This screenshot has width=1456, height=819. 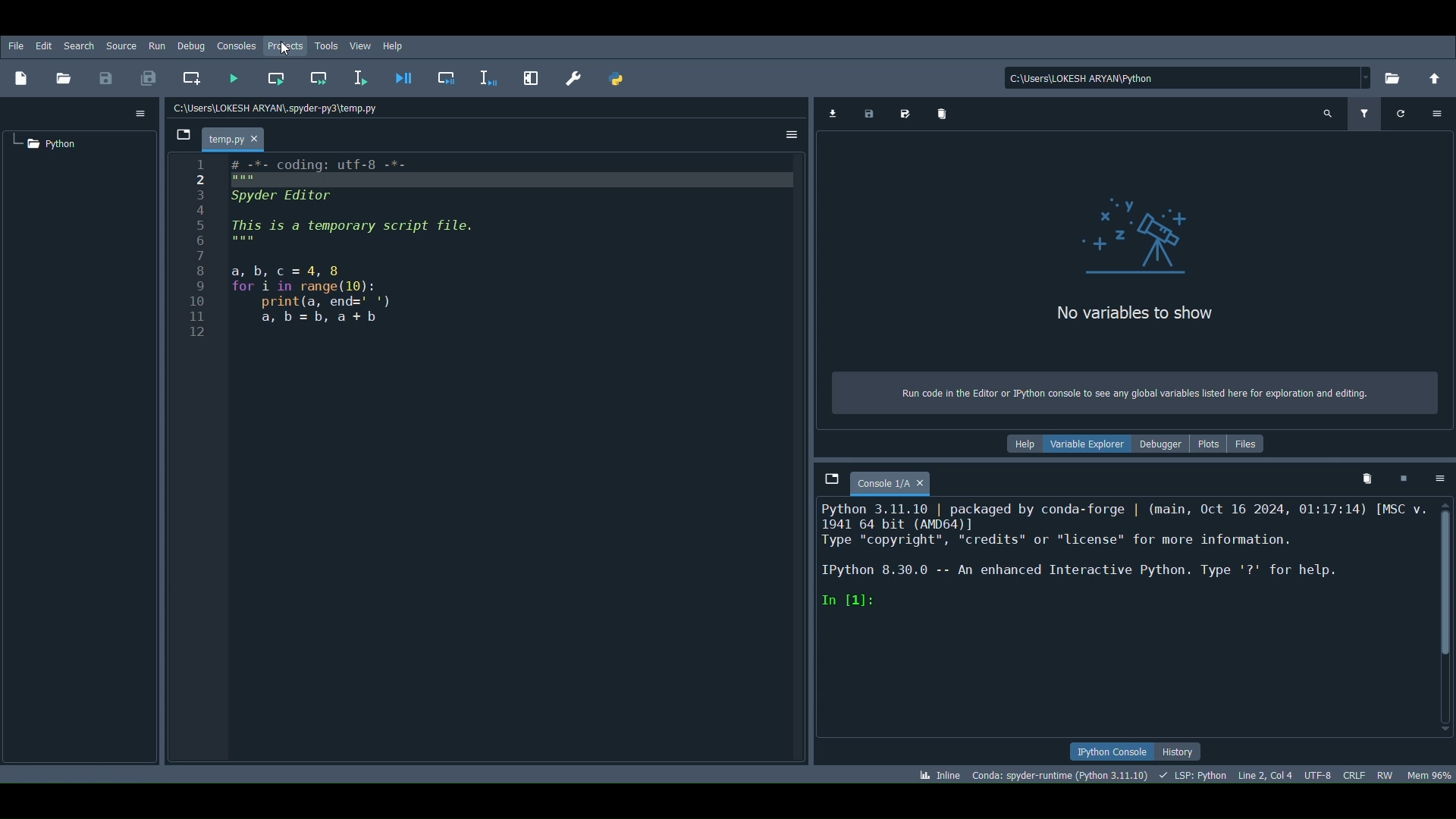 What do you see at coordinates (488, 76) in the screenshot?
I see `Debug selection or current line` at bounding box center [488, 76].